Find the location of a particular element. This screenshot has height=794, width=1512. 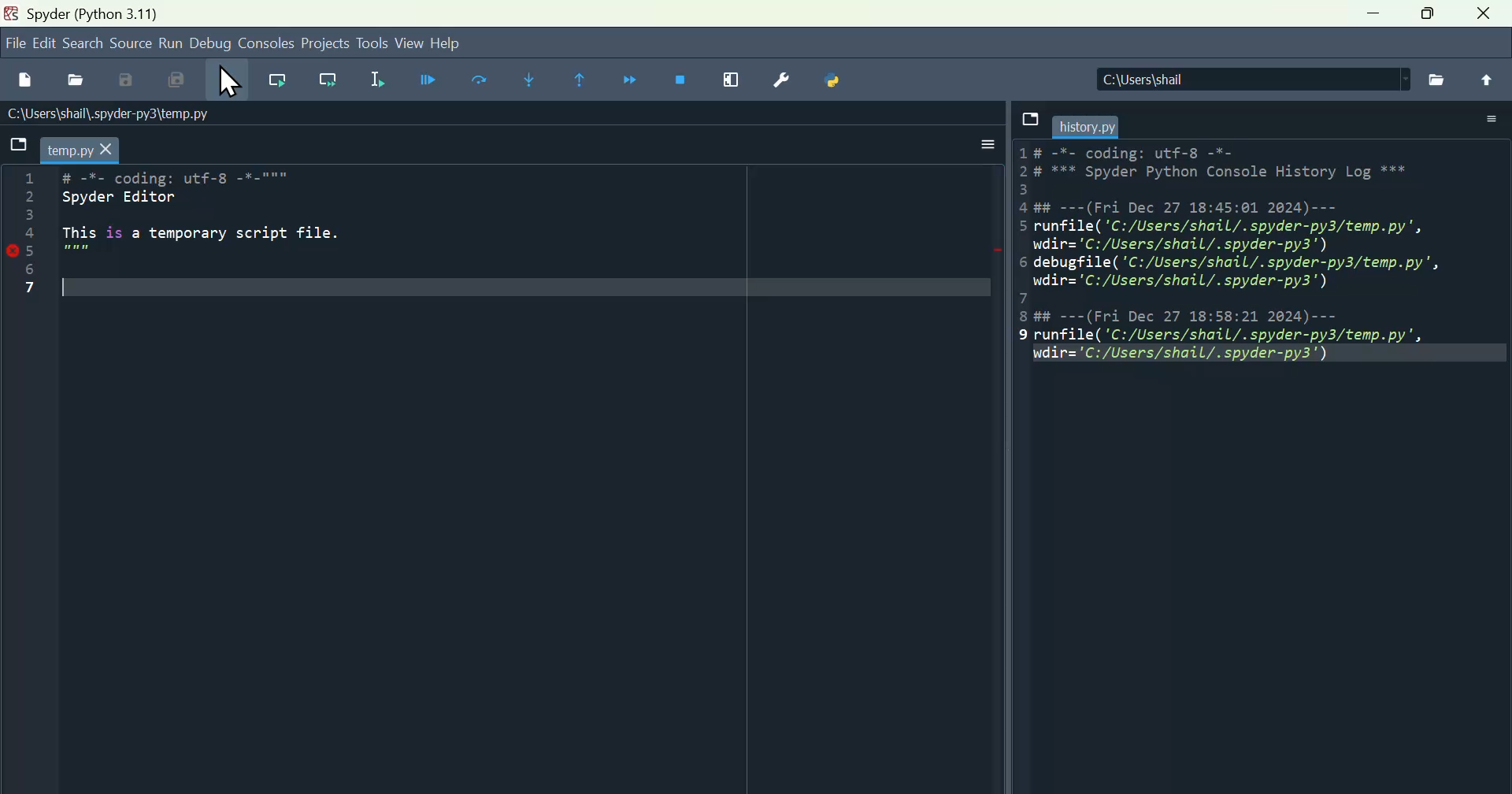

 is located at coordinates (175, 43).